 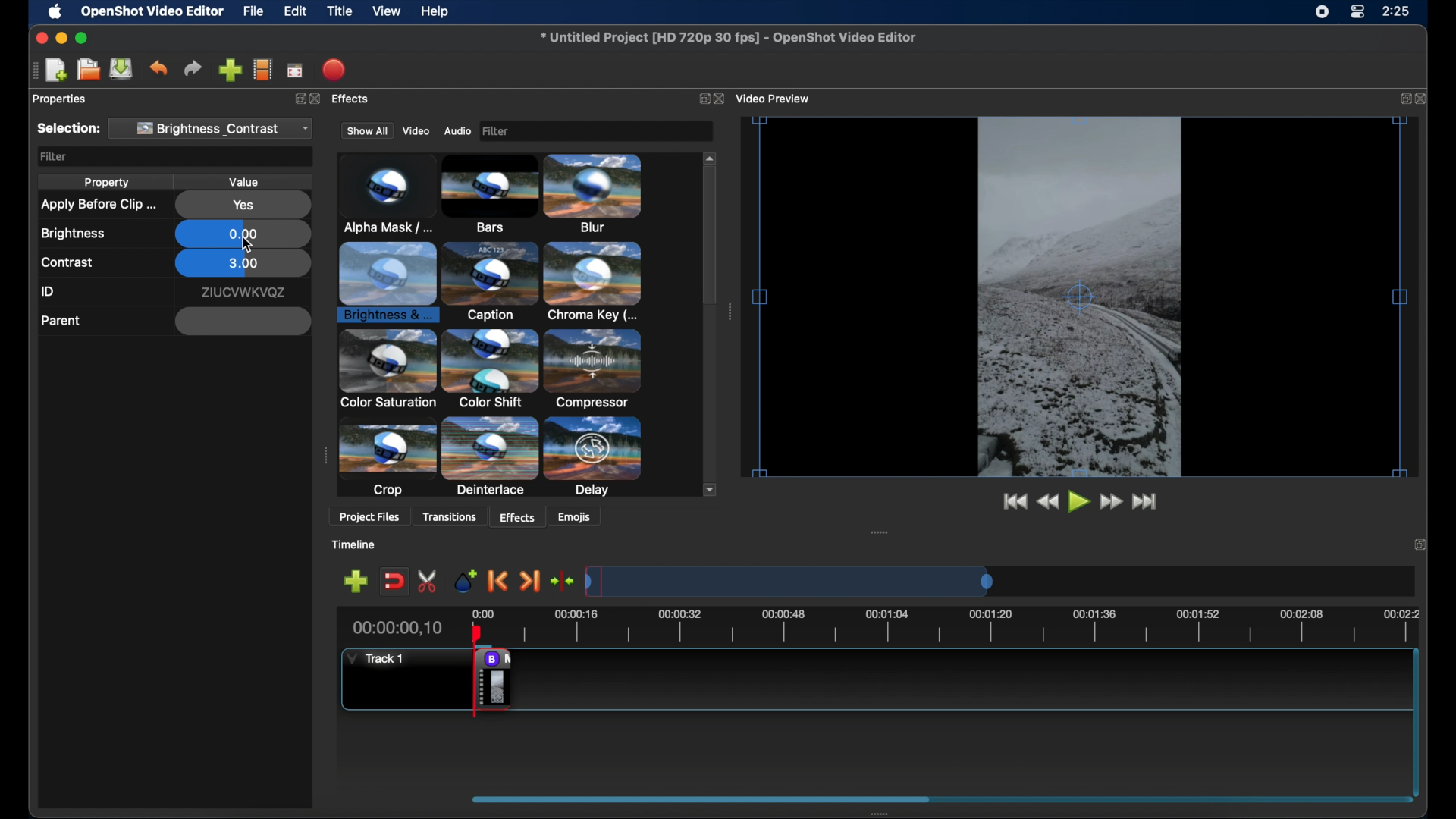 What do you see at coordinates (597, 456) in the screenshot?
I see `hue` at bounding box center [597, 456].